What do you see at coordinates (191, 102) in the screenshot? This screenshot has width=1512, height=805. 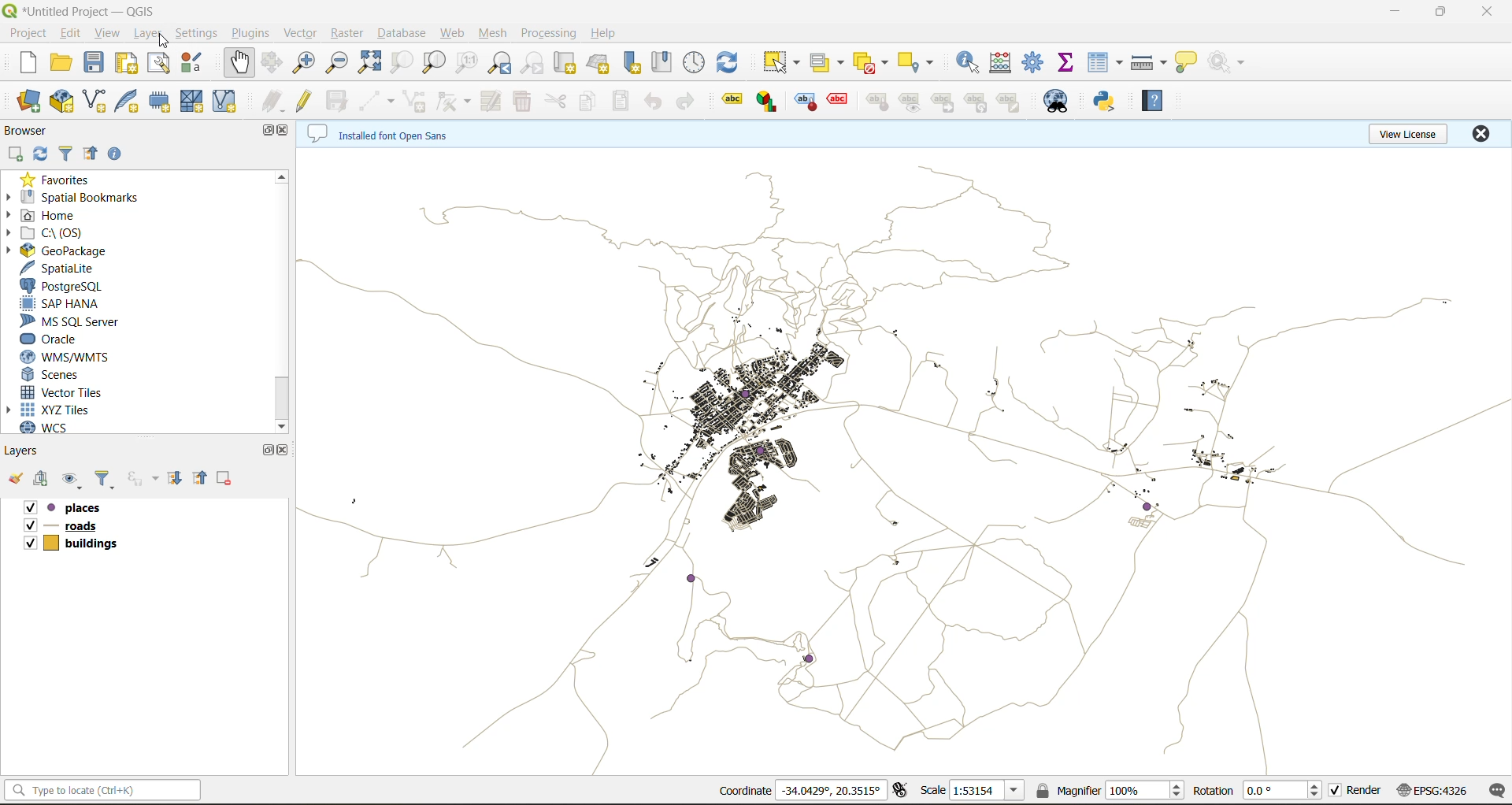 I see `mesh` at bounding box center [191, 102].